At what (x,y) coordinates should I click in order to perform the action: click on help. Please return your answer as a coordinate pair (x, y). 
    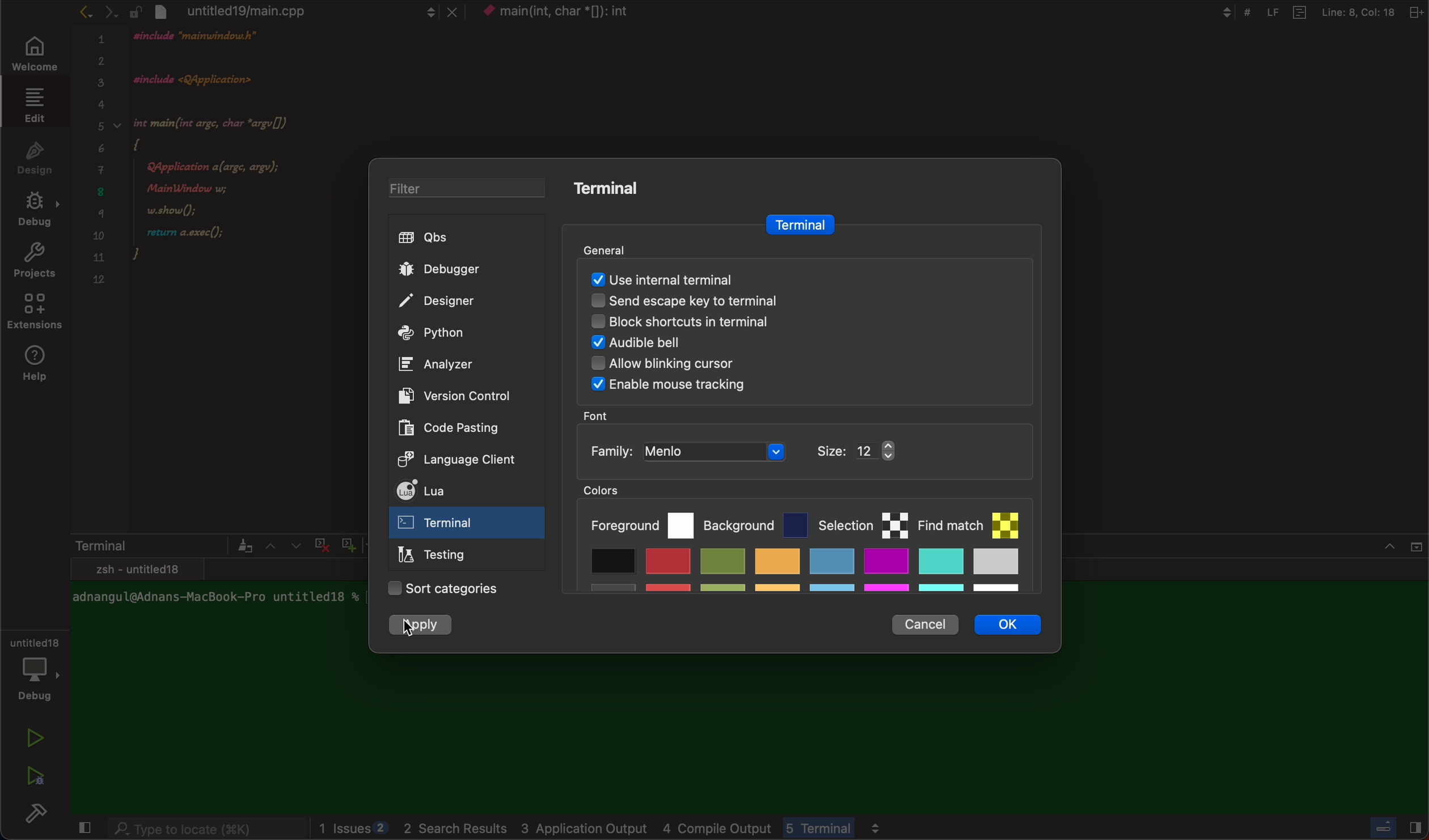
    Looking at the image, I should click on (39, 364).